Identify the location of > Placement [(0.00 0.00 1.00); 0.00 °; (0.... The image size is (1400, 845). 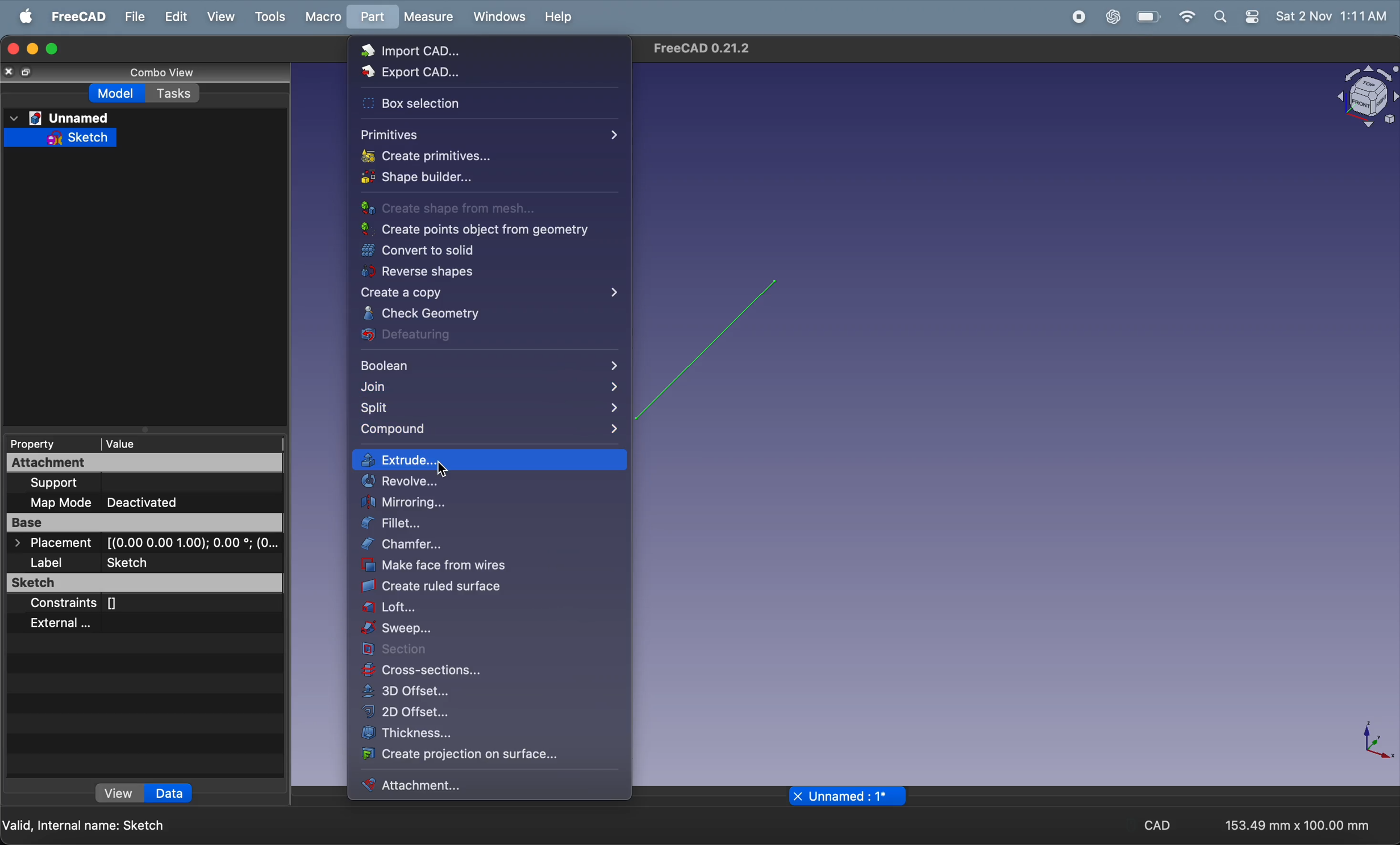
(144, 542).